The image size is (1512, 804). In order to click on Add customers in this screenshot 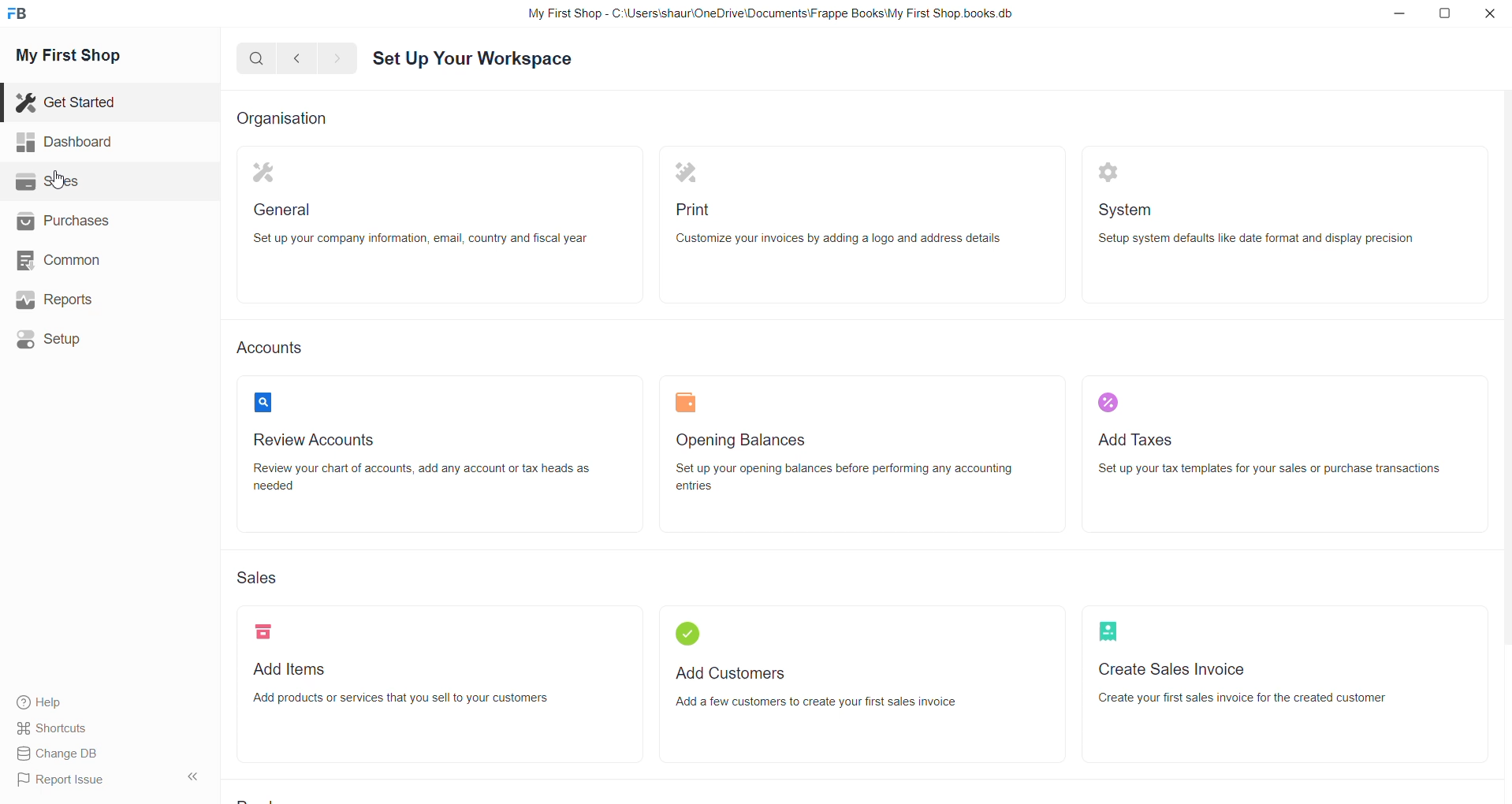, I will do `click(863, 685)`.